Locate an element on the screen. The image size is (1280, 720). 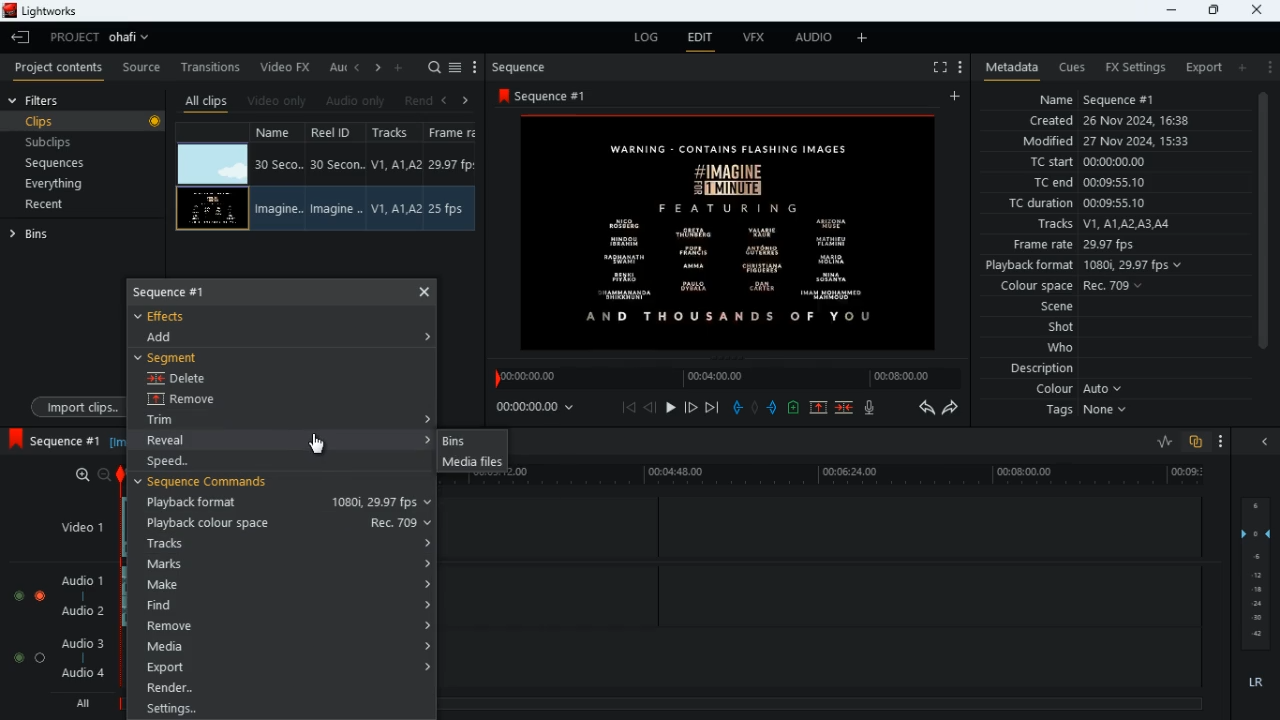
created is located at coordinates (1119, 122).